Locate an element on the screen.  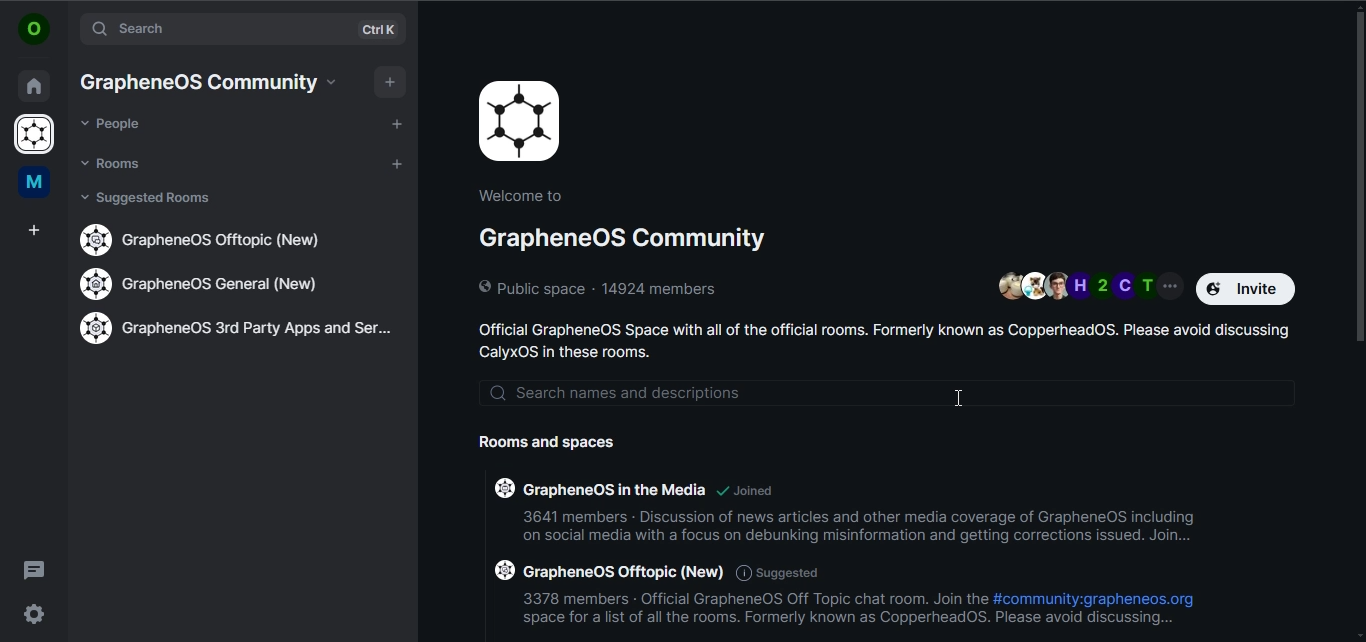
threads is located at coordinates (34, 569).